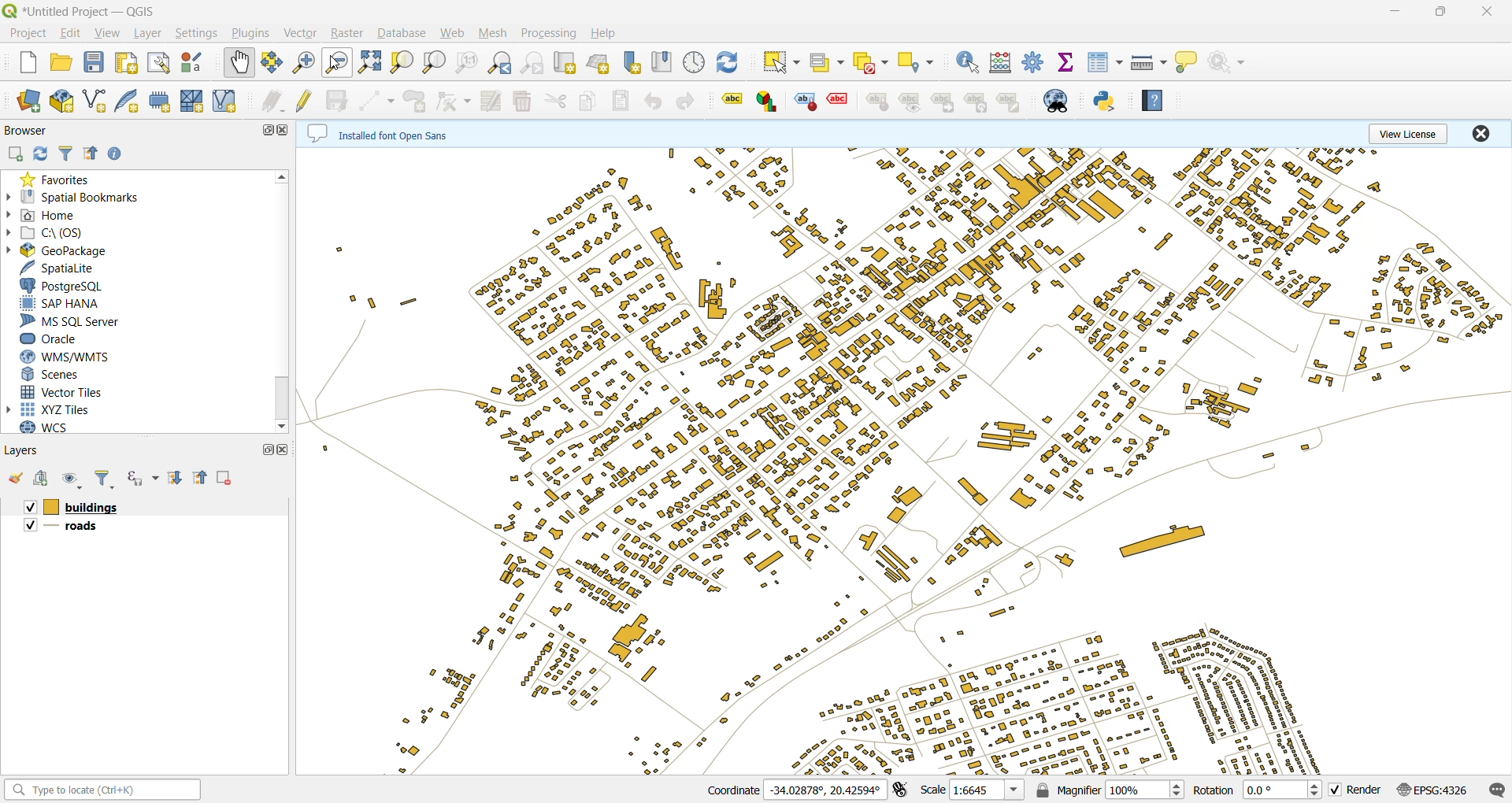 The width and height of the screenshot is (1512, 803). What do you see at coordinates (416, 101) in the screenshot?
I see `add polygon` at bounding box center [416, 101].